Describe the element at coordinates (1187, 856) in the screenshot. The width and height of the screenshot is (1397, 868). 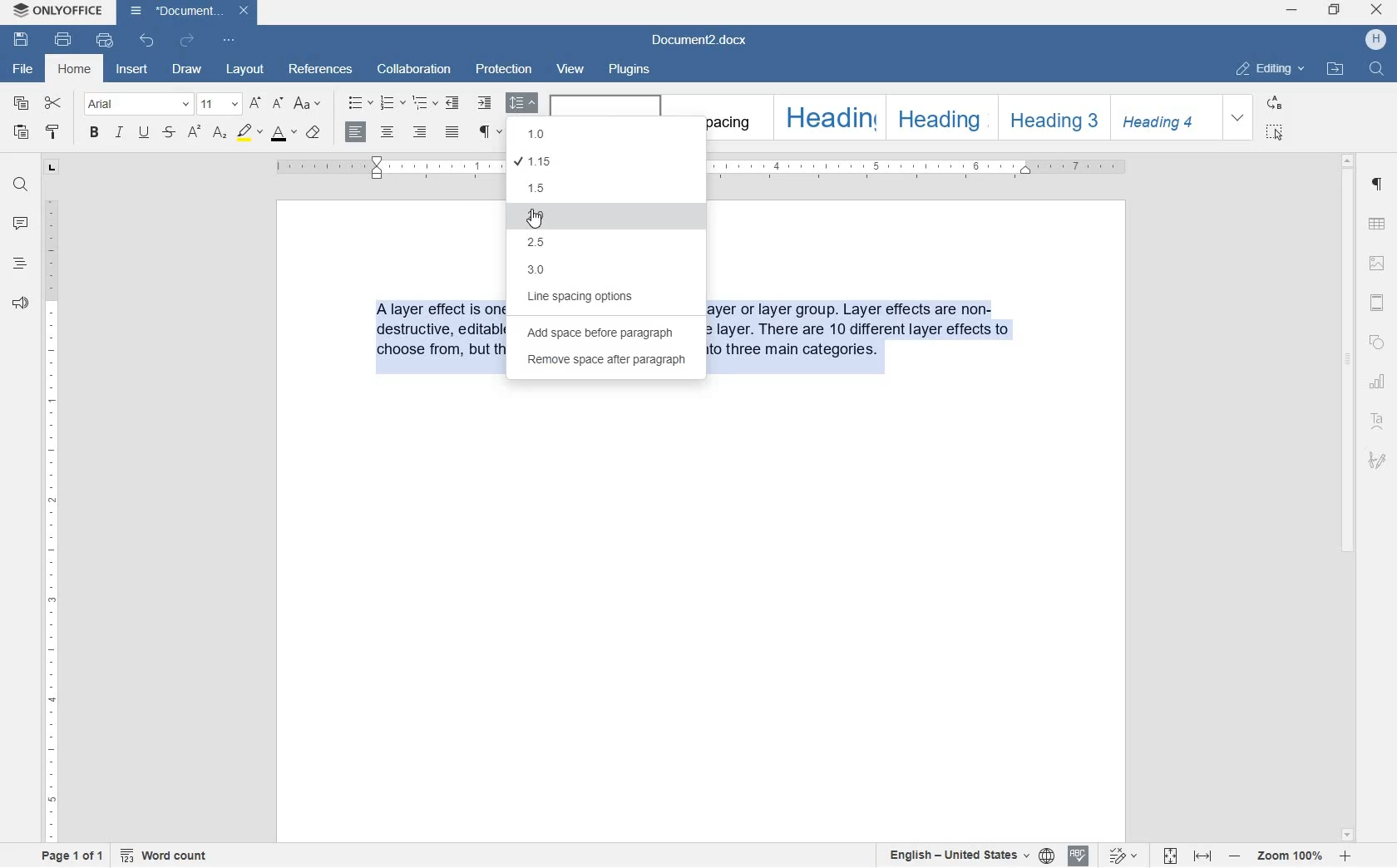
I see `fit to page or to width` at that location.